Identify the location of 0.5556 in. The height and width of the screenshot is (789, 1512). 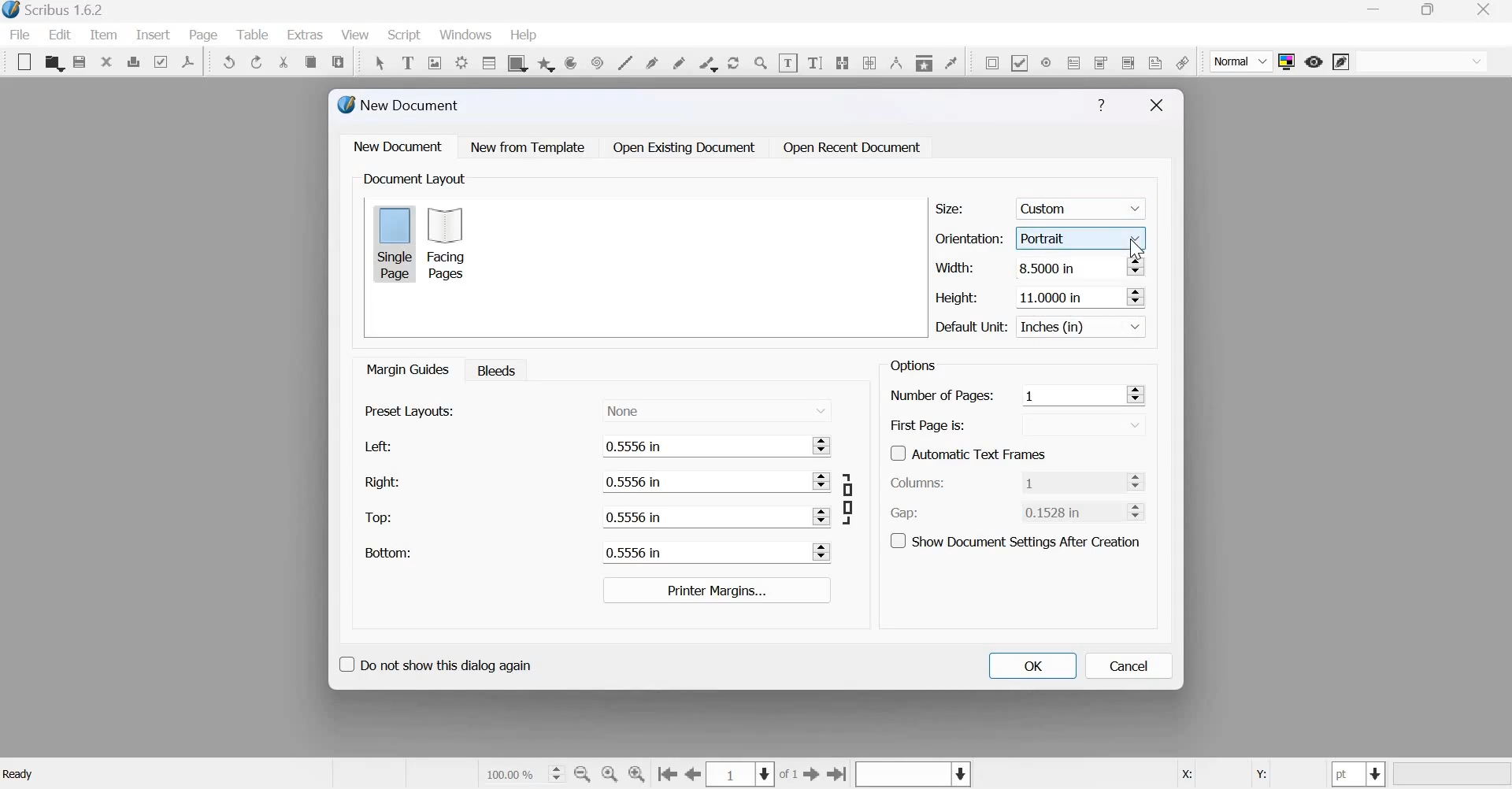
(697, 445).